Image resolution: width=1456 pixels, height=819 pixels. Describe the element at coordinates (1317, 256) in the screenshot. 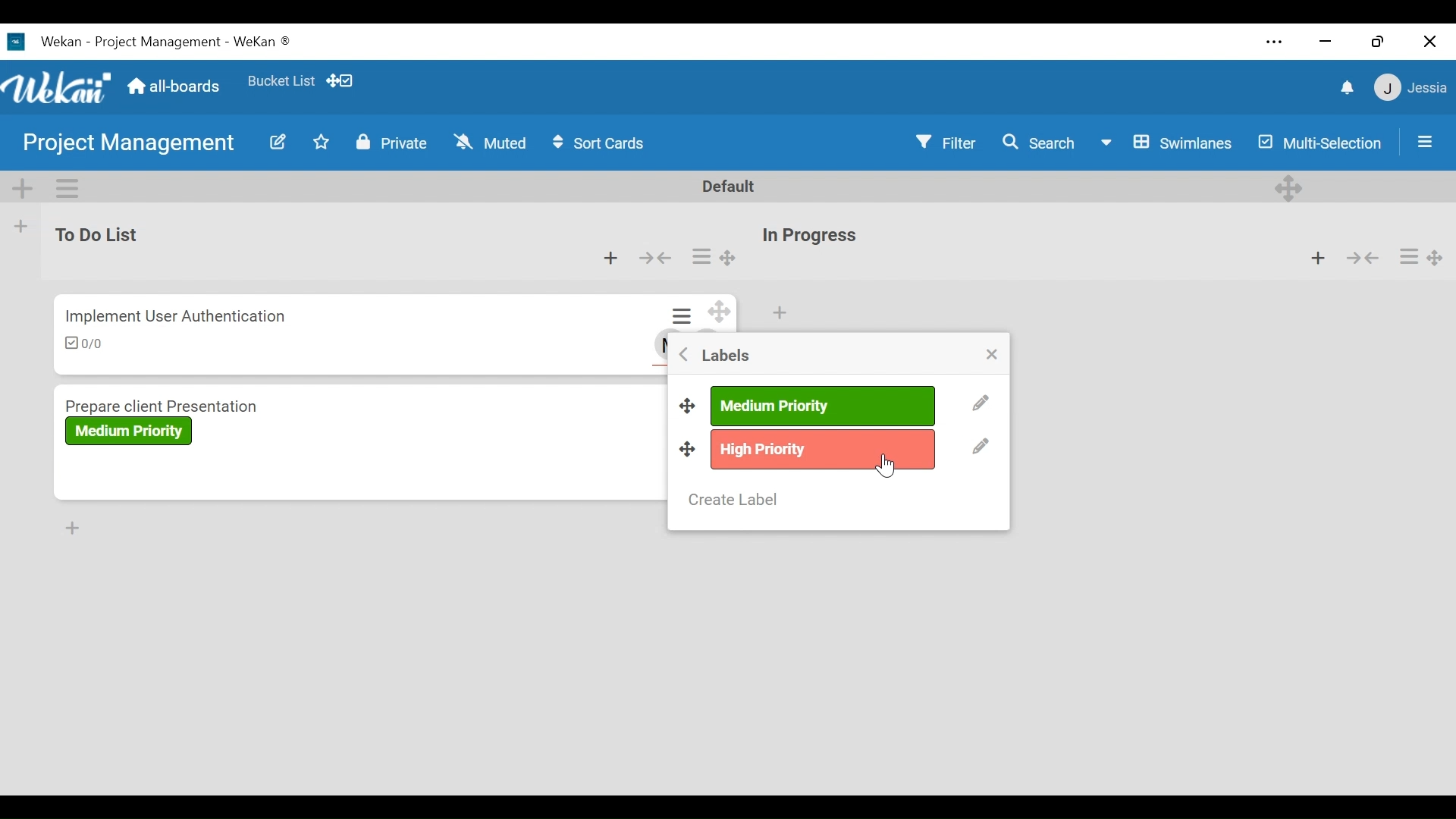

I see `Add Card to top of the list` at that location.